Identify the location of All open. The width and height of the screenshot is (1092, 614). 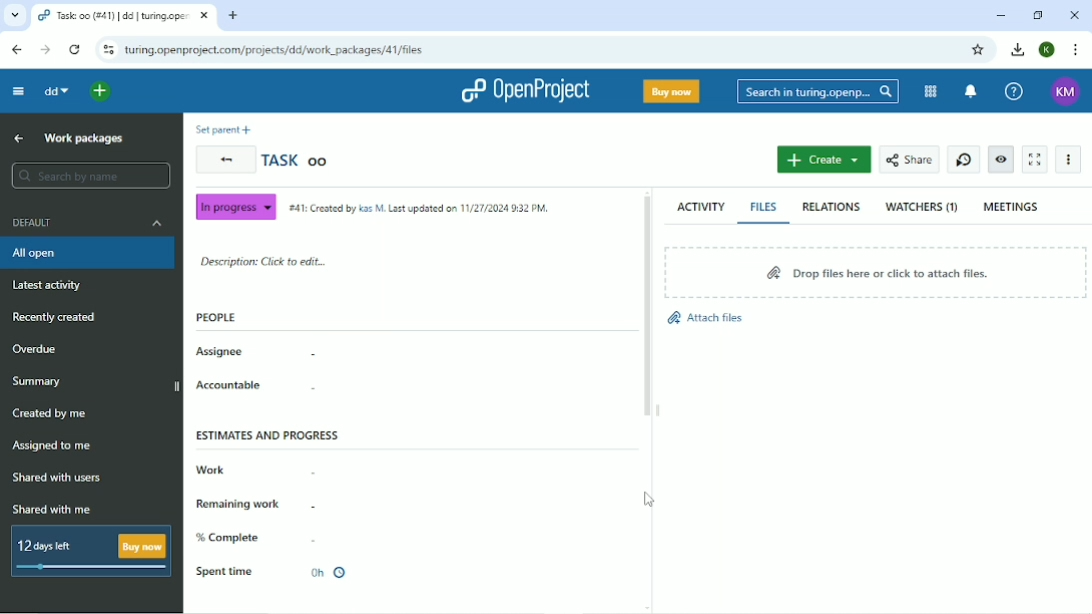
(87, 253).